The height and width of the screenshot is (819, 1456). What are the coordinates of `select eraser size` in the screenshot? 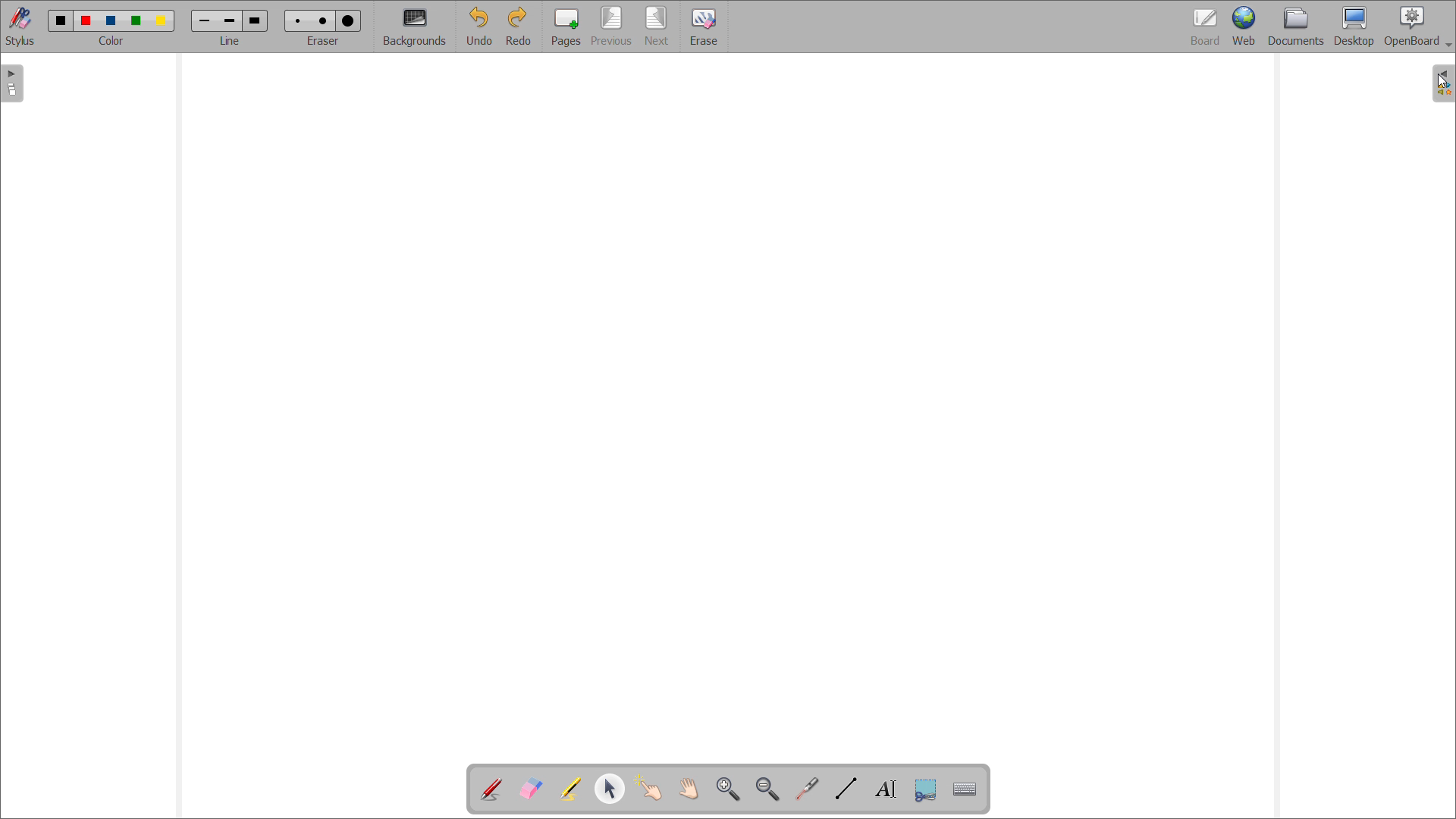 It's located at (324, 27).